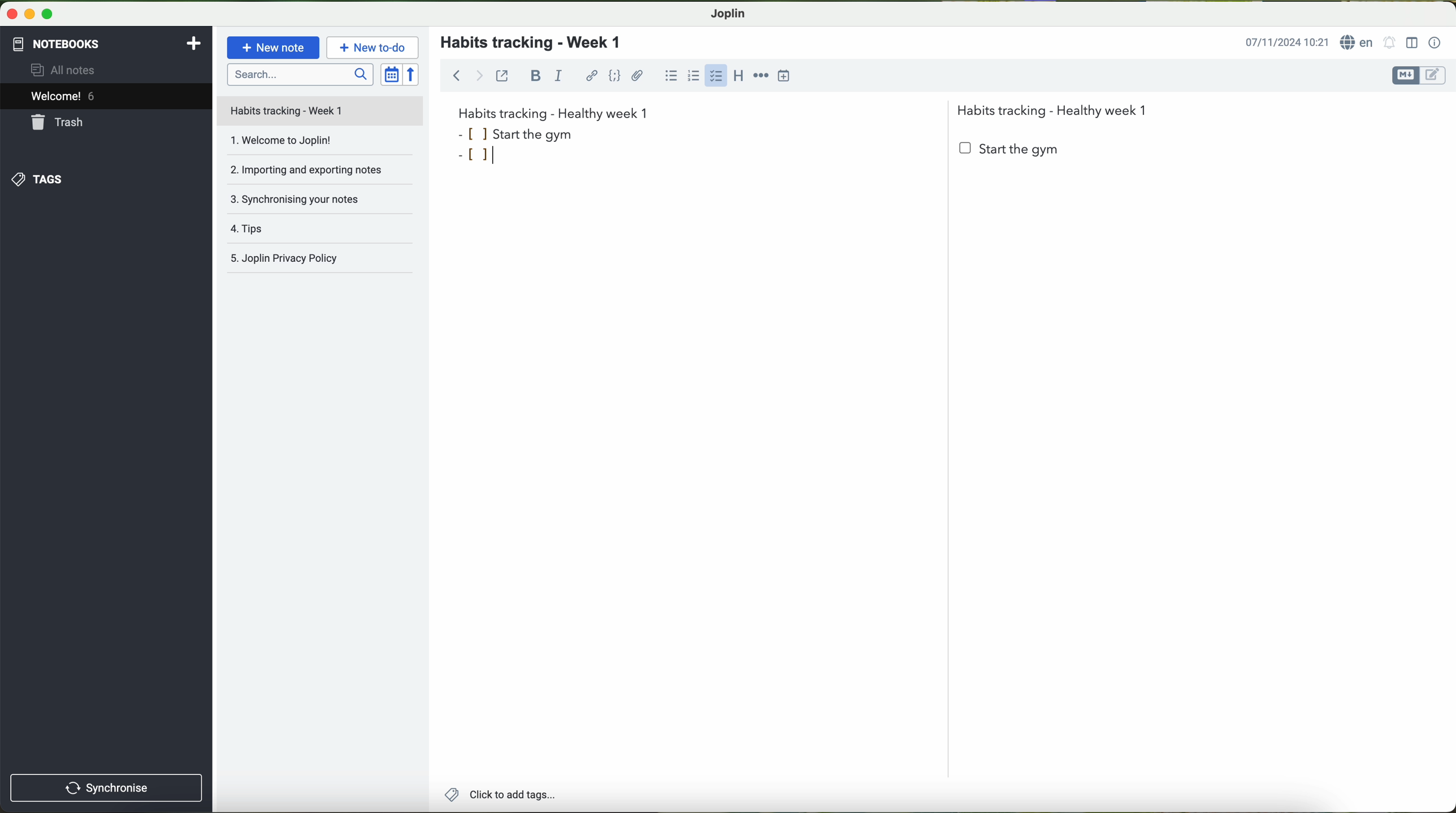 The height and width of the screenshot is (813, 1456). I want to click on search bar, so click(299, 74).